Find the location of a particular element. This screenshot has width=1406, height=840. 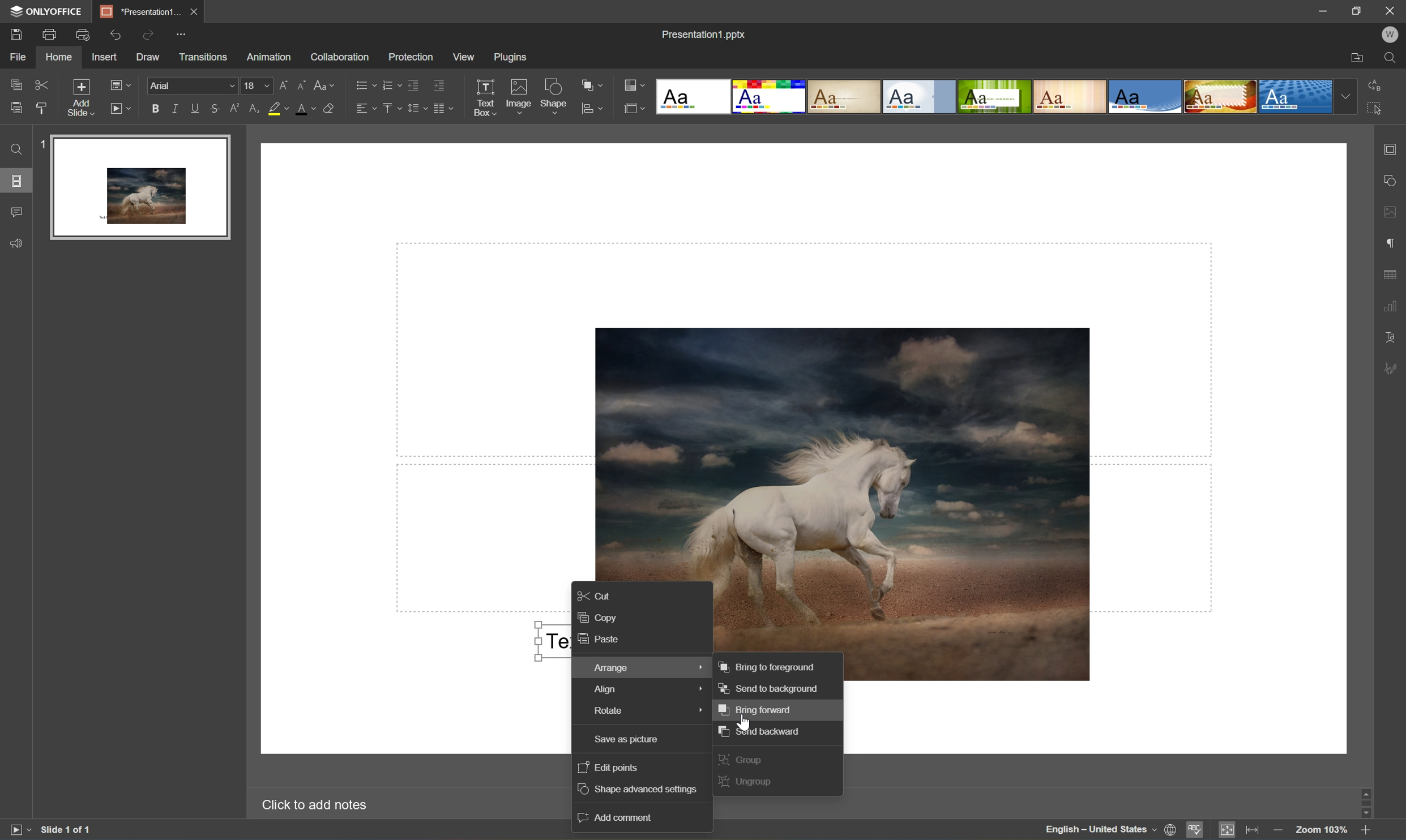

File is located at coordinates (20, 57).